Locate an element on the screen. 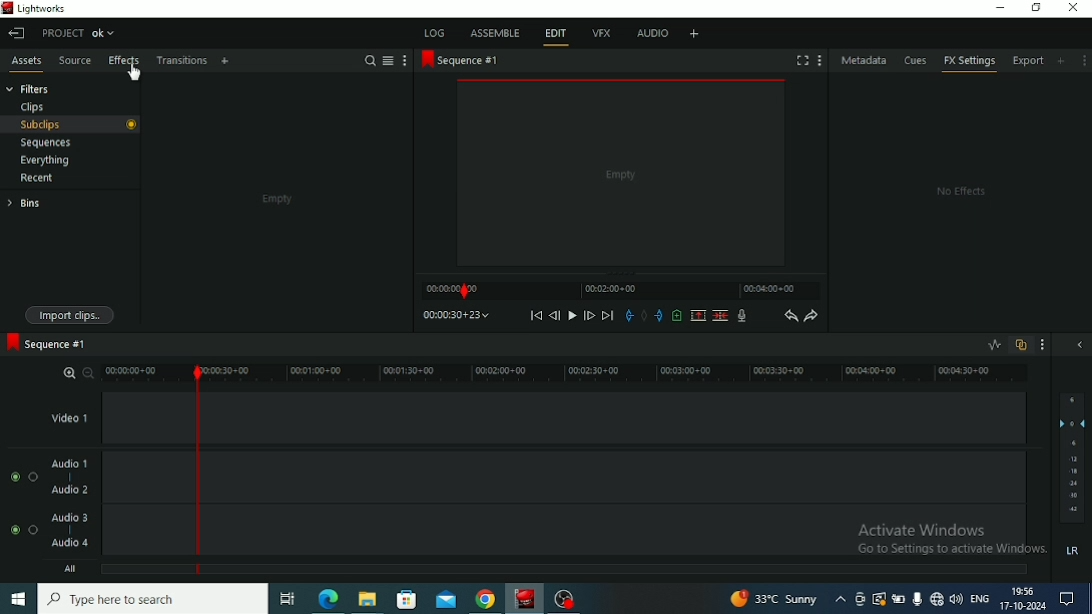 This screenshot has height=614, width=1092. Microsoft store is located at coordinates (405, 597).